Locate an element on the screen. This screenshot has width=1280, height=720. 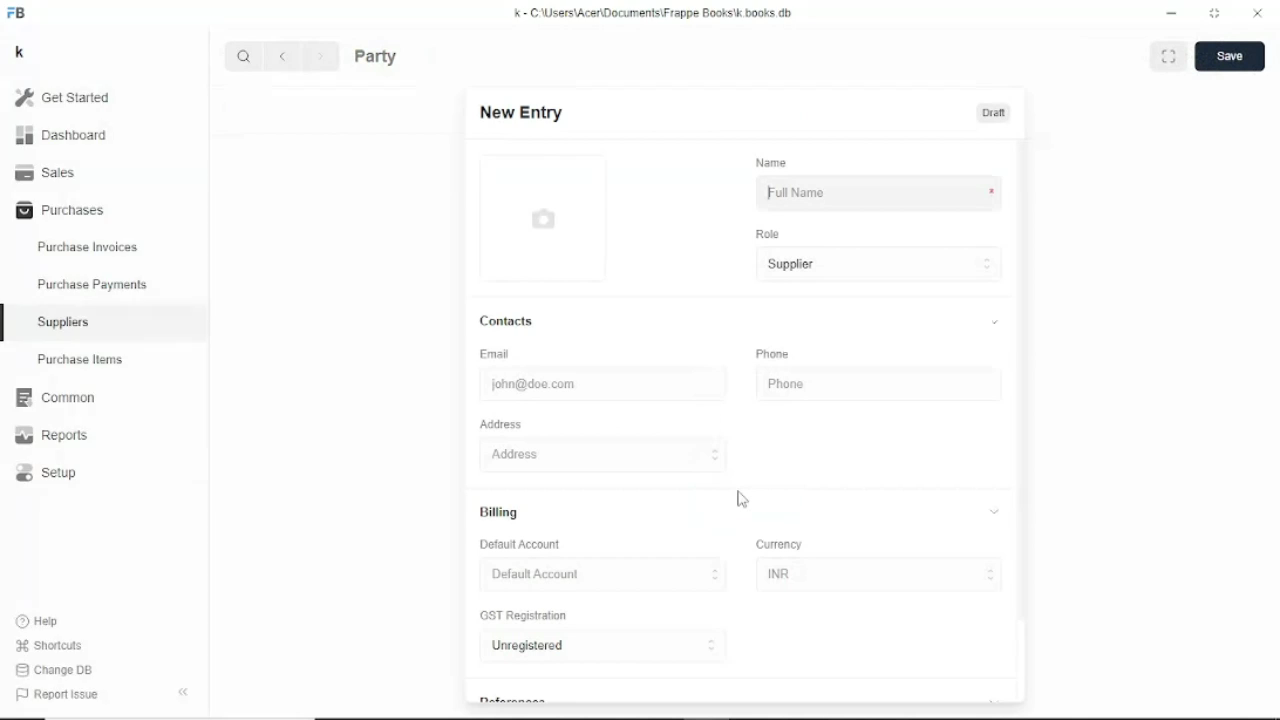
Purchases is located at coordinates (58, 211).